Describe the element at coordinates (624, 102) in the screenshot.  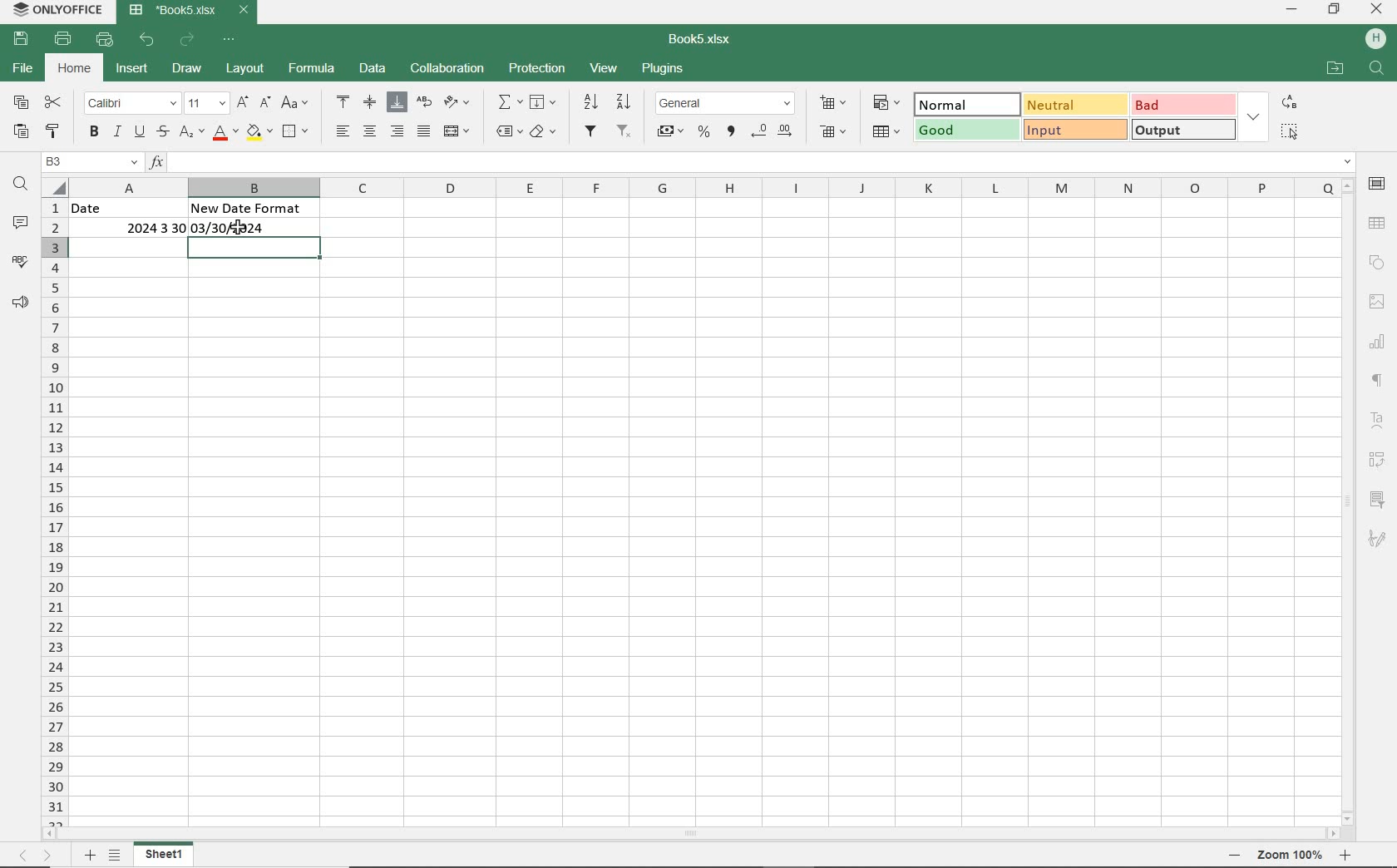
I see `SORT DESCENDING` at that location.